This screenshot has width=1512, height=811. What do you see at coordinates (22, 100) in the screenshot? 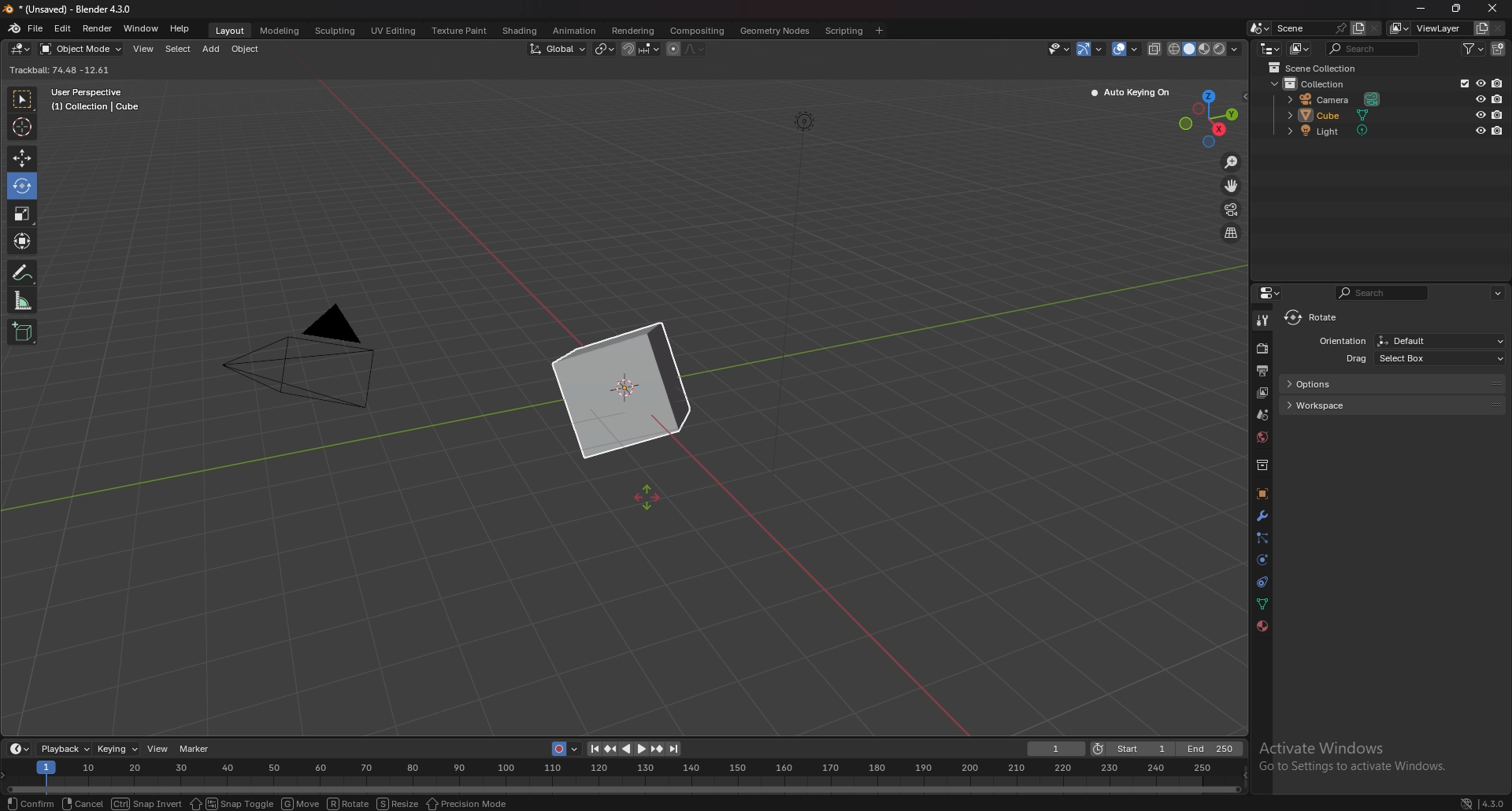
I see `selector` at bounding box center [22, 100].